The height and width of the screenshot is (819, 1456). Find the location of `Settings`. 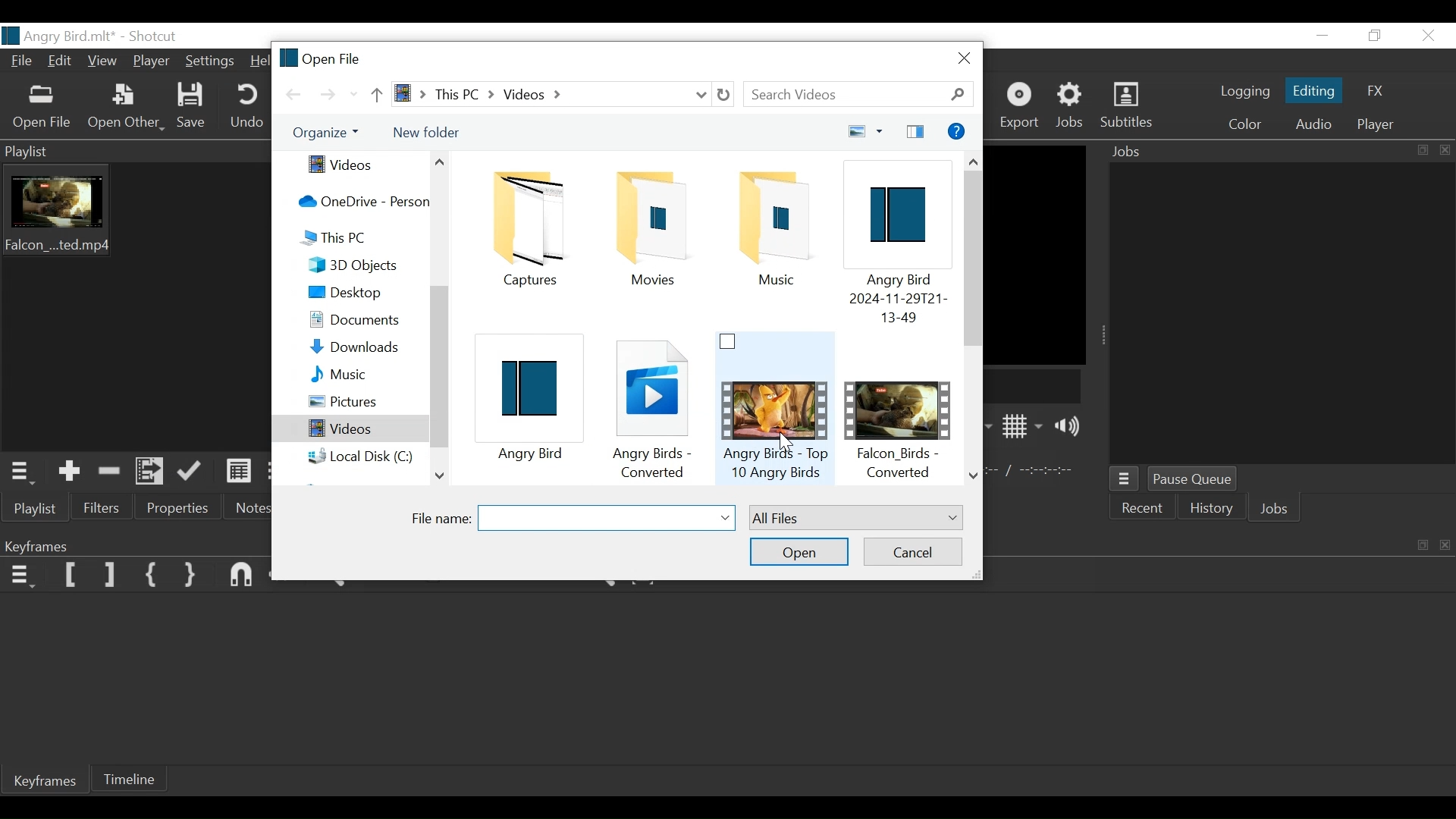

Settings is located at coordinates (210, 62).